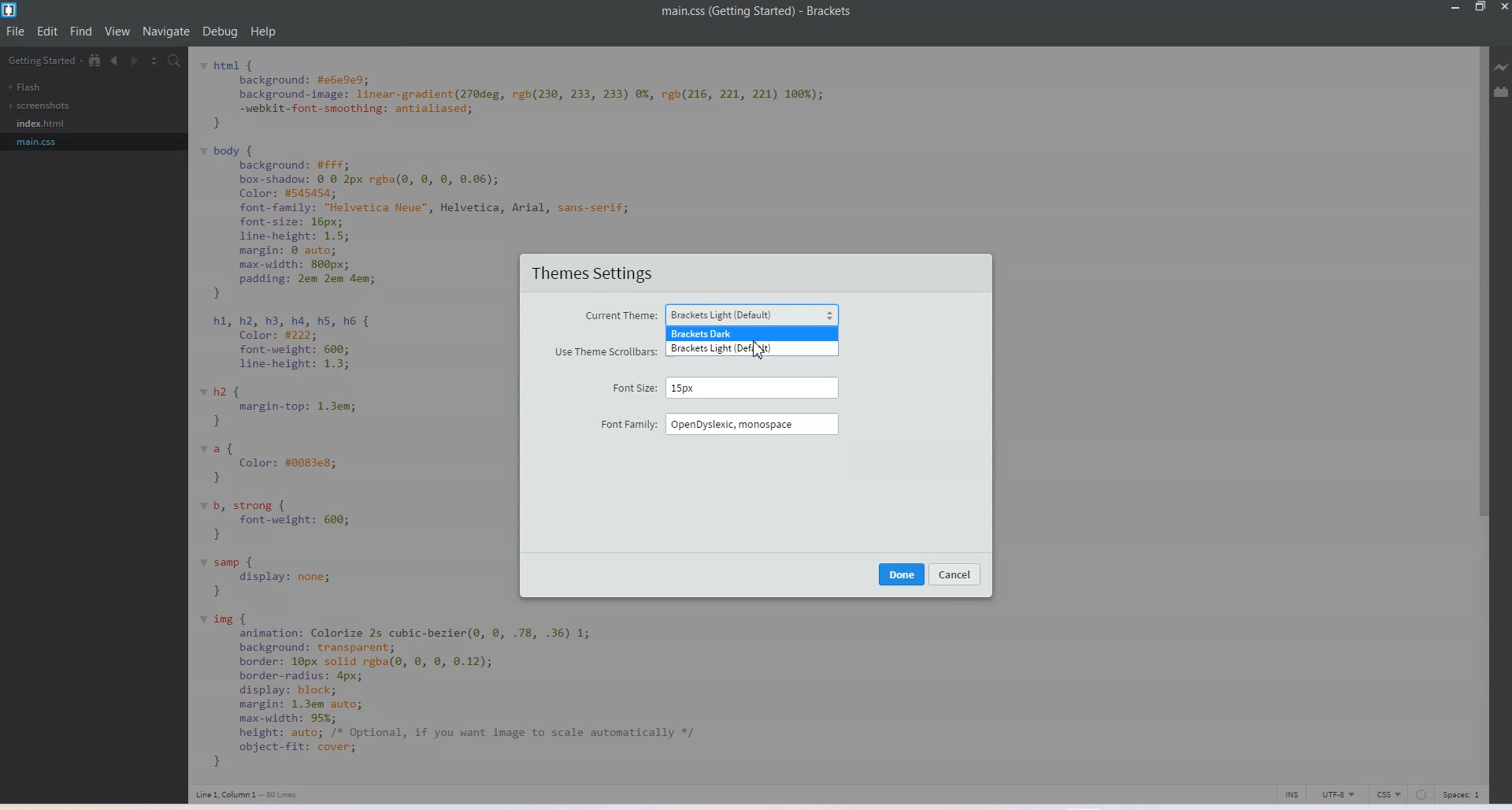  What do you see at coordinates (156, 61) in the screenshot?
I see `Split screen vertically and Horizontally` at bounding box center [156, 61].